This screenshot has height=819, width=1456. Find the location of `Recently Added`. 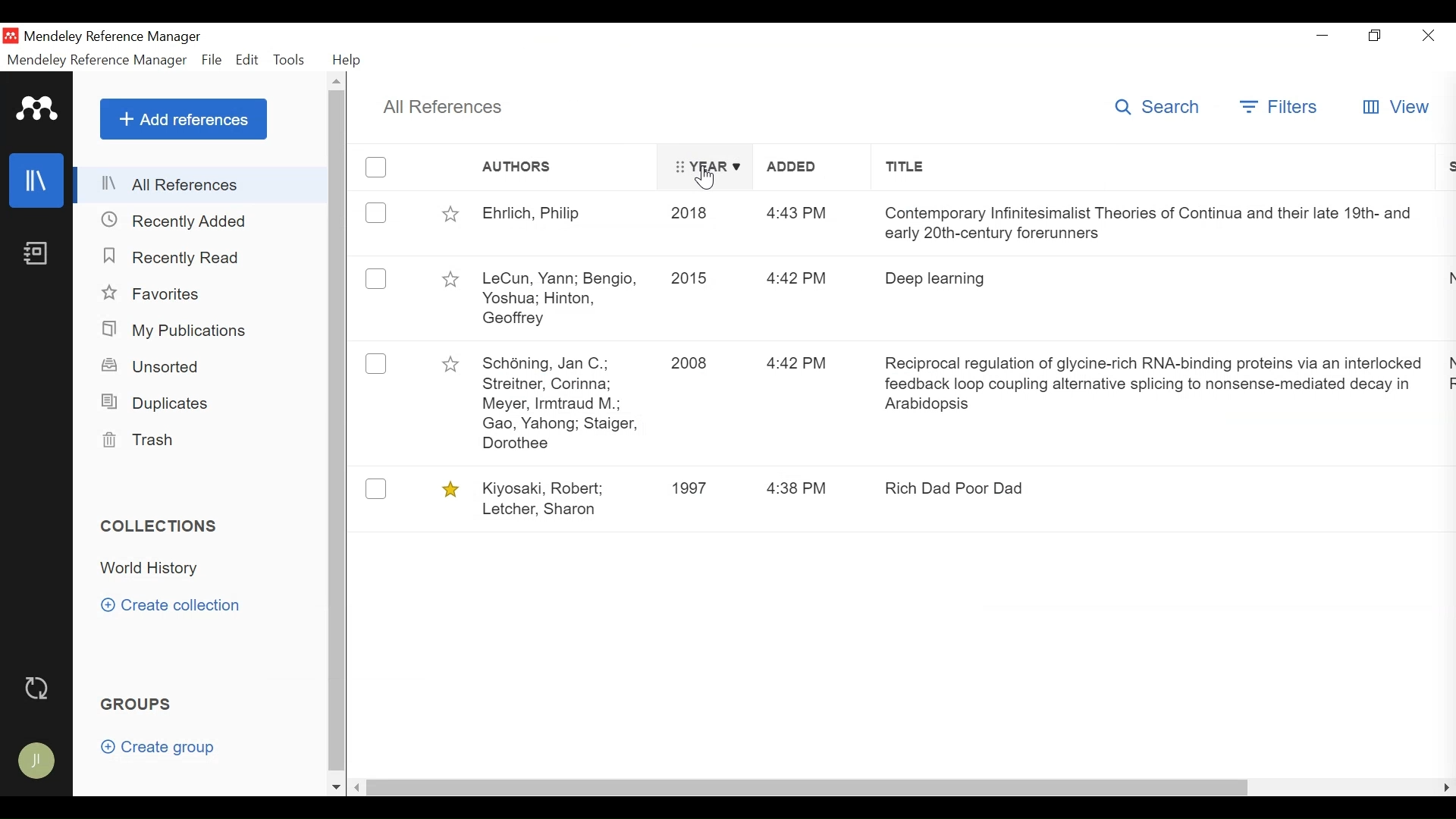

Recently Added is located at coordinates (177, 259).